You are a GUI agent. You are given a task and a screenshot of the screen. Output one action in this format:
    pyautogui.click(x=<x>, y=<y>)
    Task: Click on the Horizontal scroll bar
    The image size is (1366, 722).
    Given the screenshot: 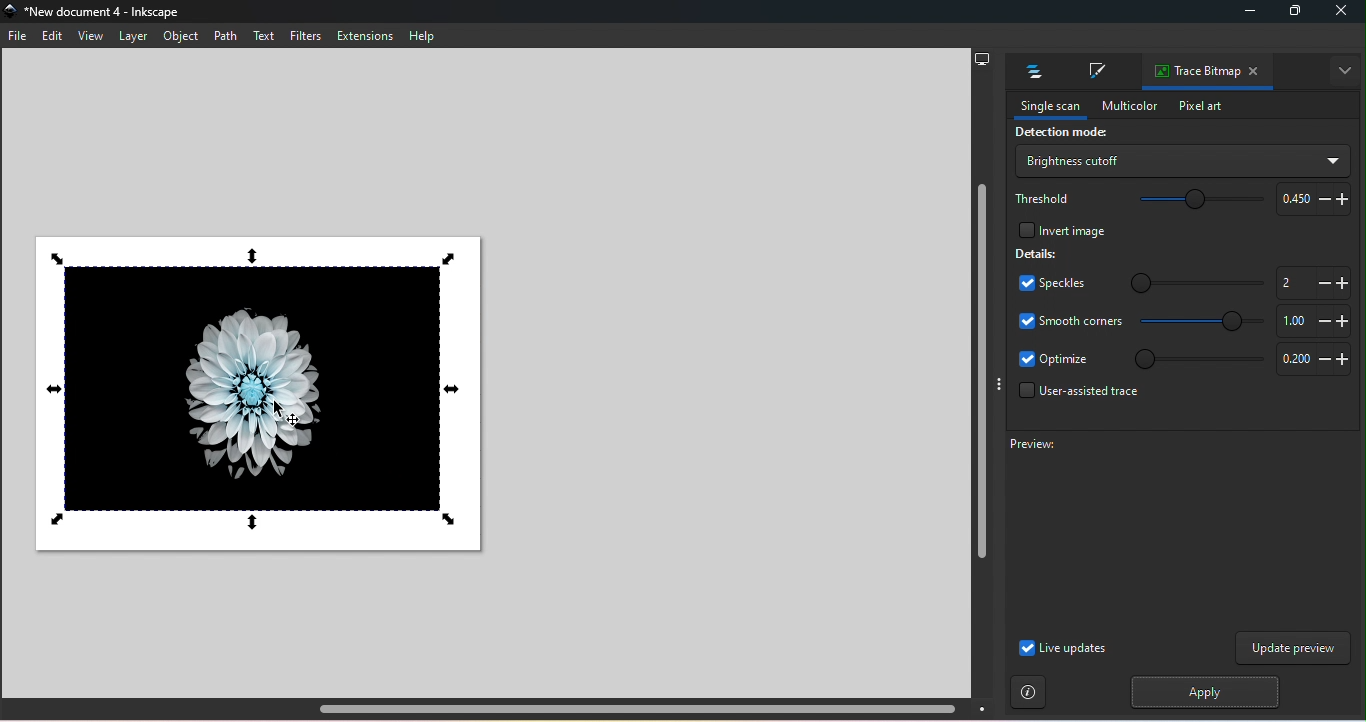 What is the action you would take?
    pyautogui.click(x=500, y=709)
    